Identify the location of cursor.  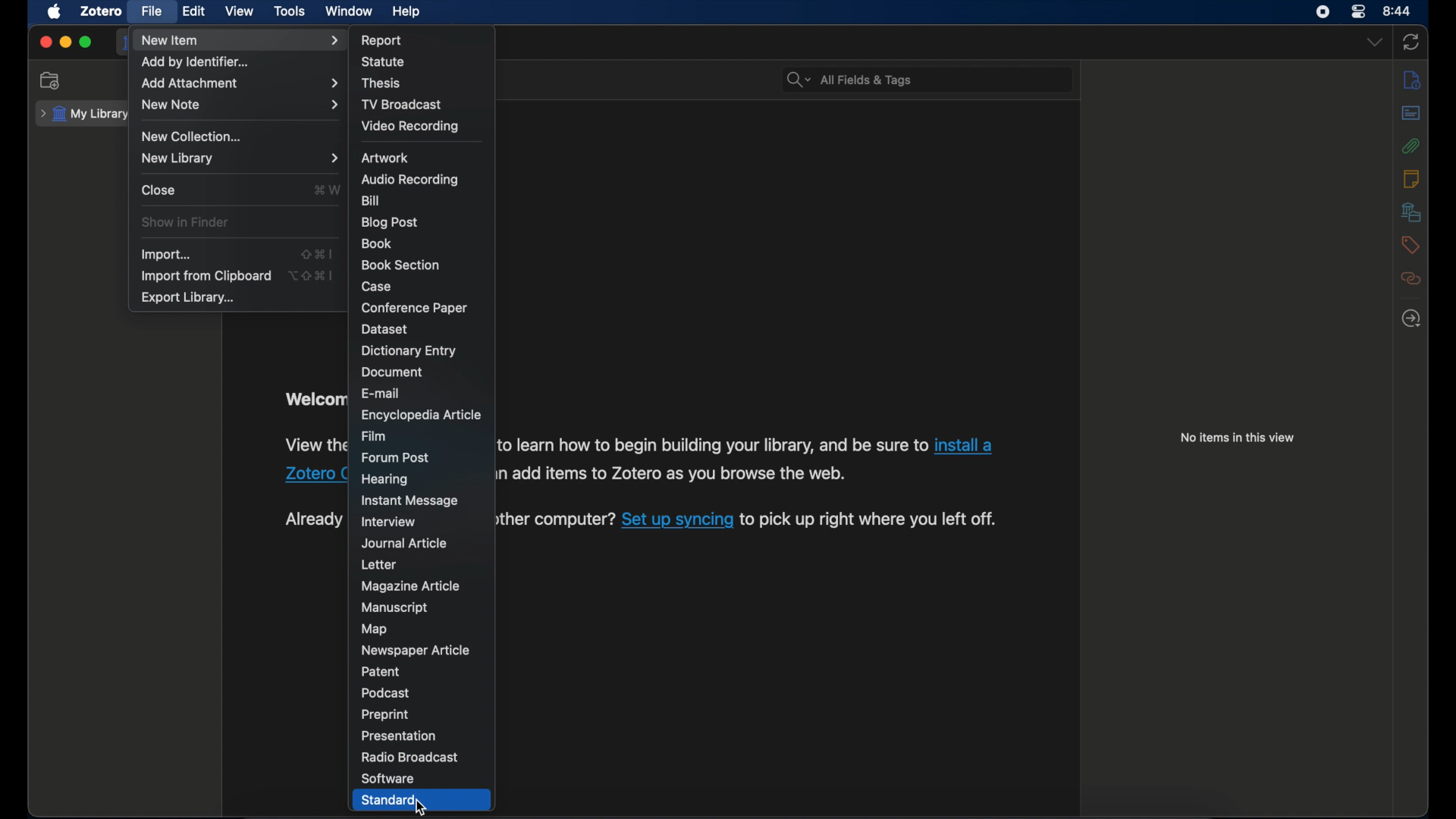
(420, 808).